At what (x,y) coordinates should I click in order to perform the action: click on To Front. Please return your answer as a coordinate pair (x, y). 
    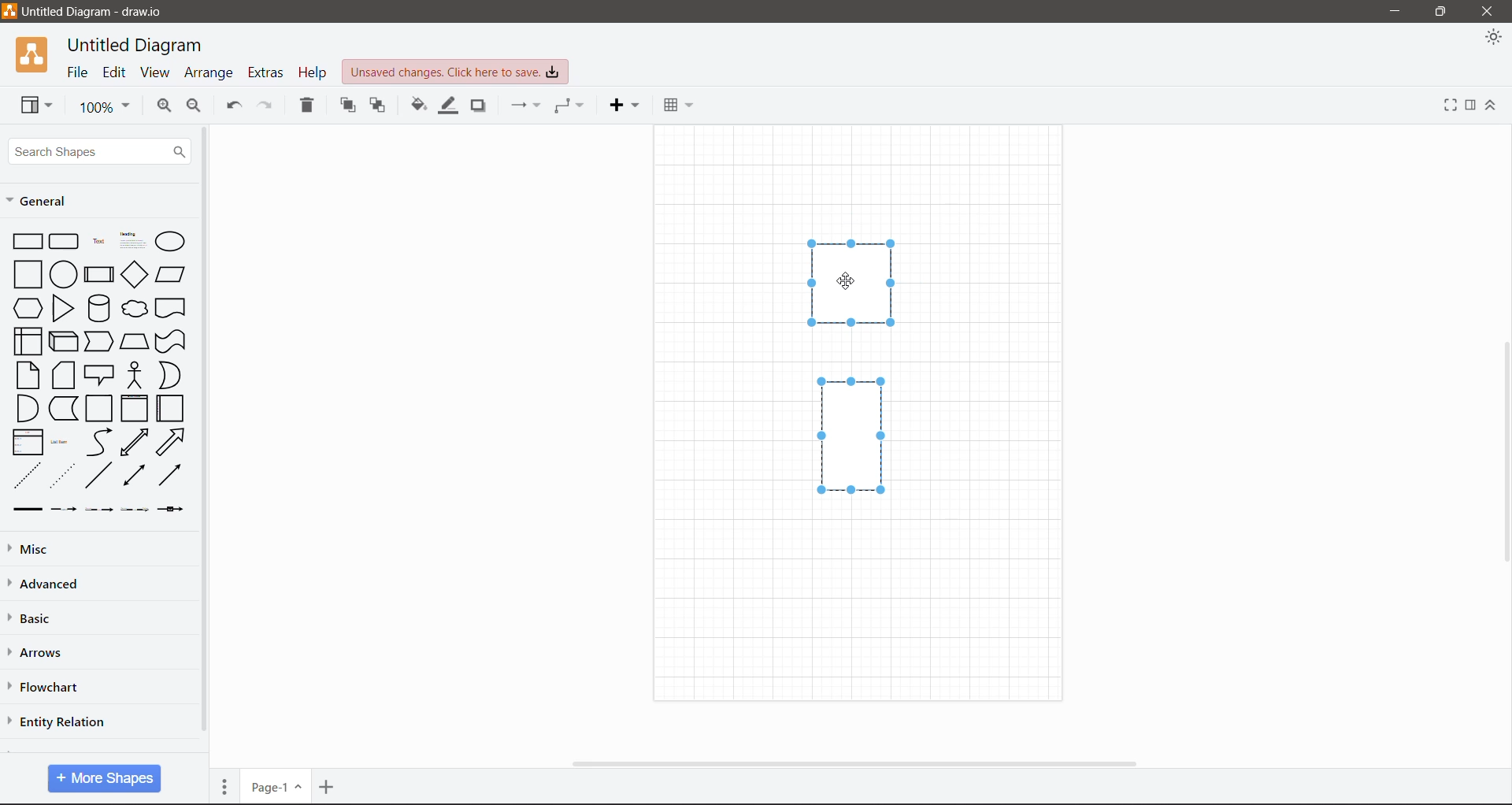
    Looking at the image, I should click on (347, 106).